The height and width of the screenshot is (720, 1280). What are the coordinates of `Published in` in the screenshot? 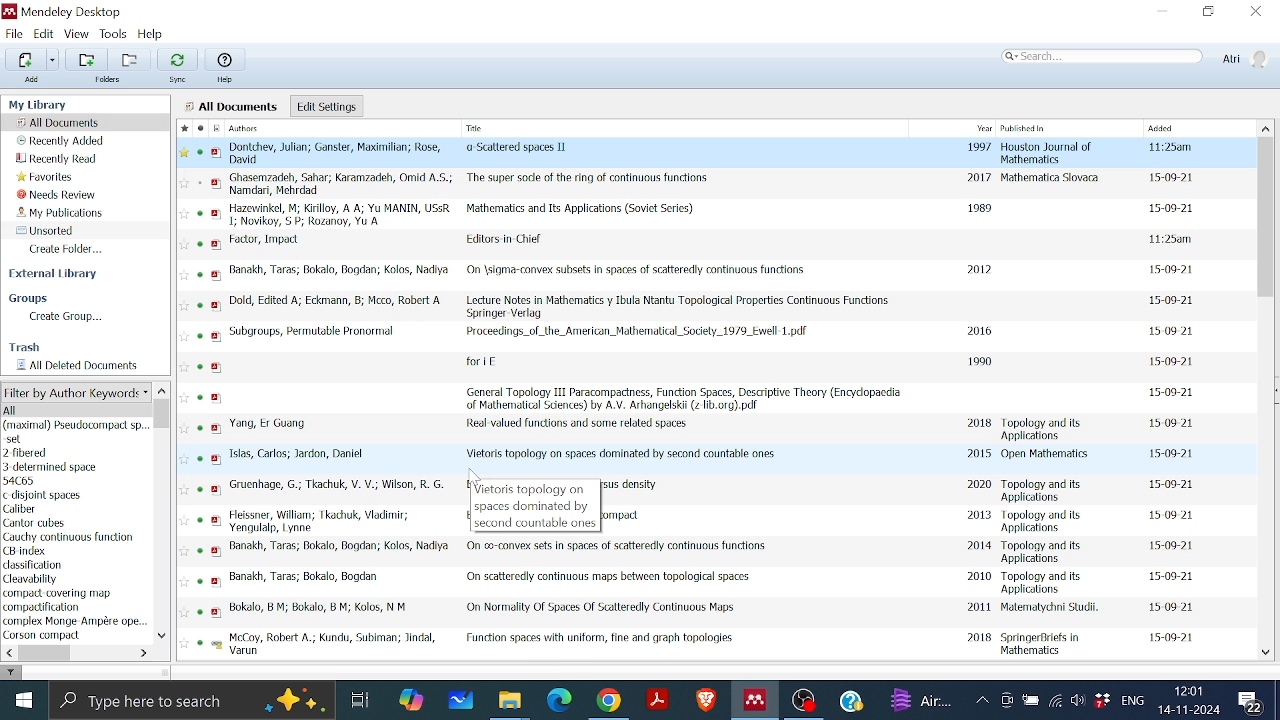 It's located at (1052, 608).